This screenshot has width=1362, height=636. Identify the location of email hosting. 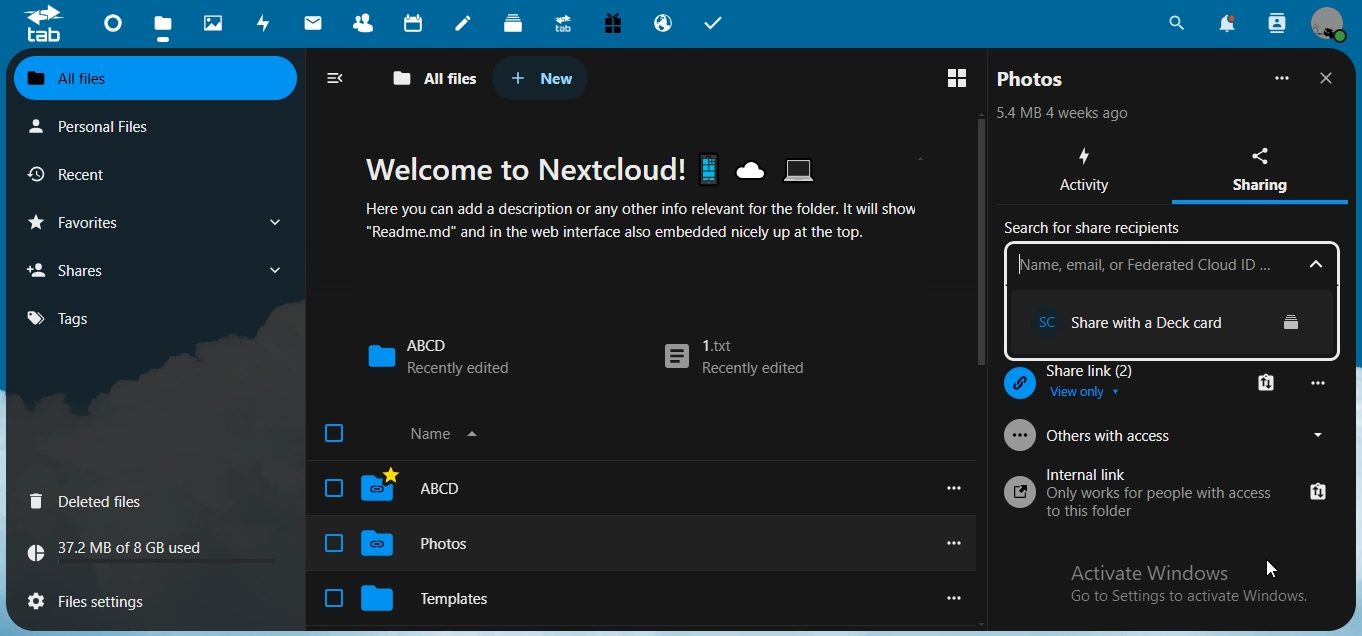
(664, 25).